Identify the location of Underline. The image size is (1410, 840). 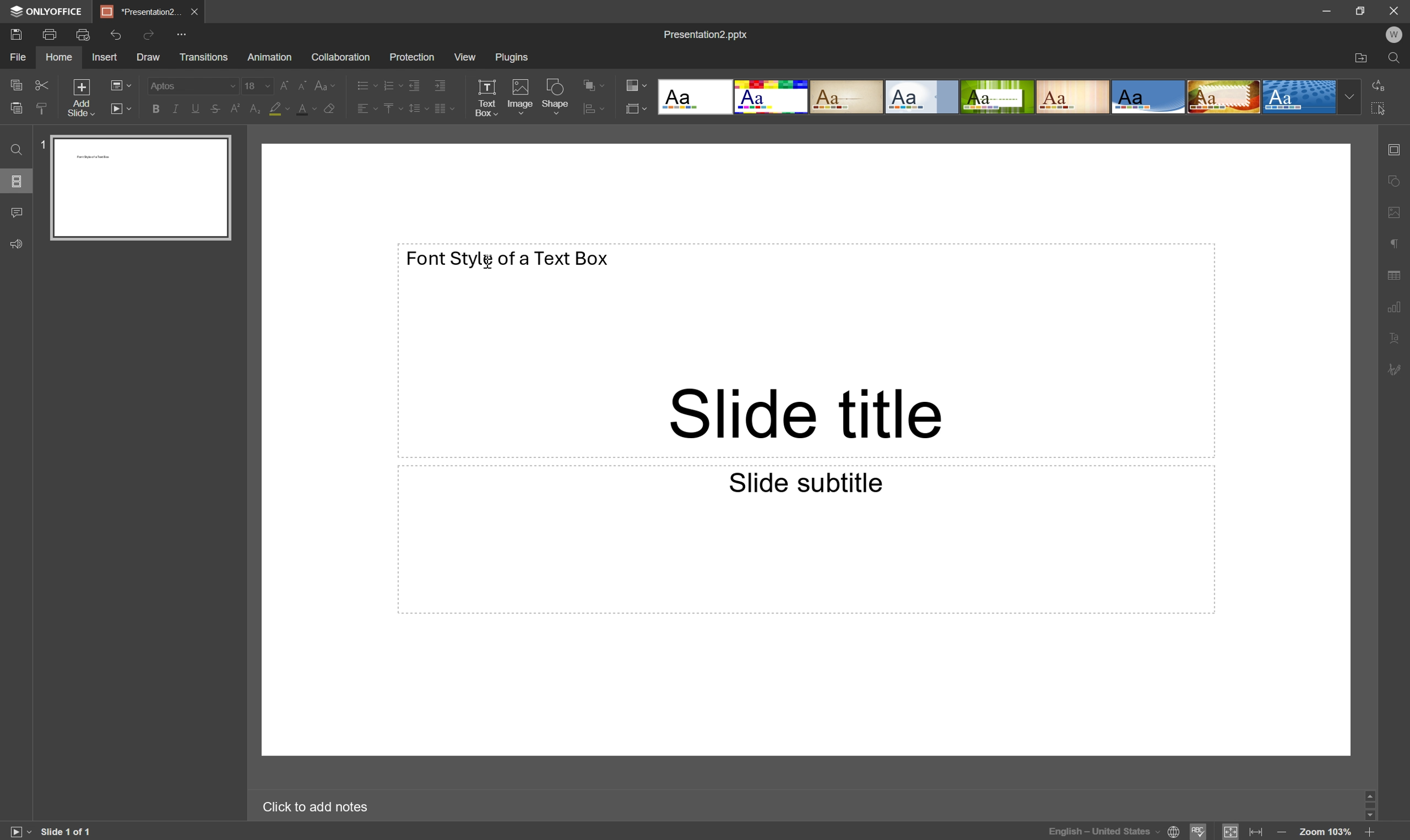
(196, 107).